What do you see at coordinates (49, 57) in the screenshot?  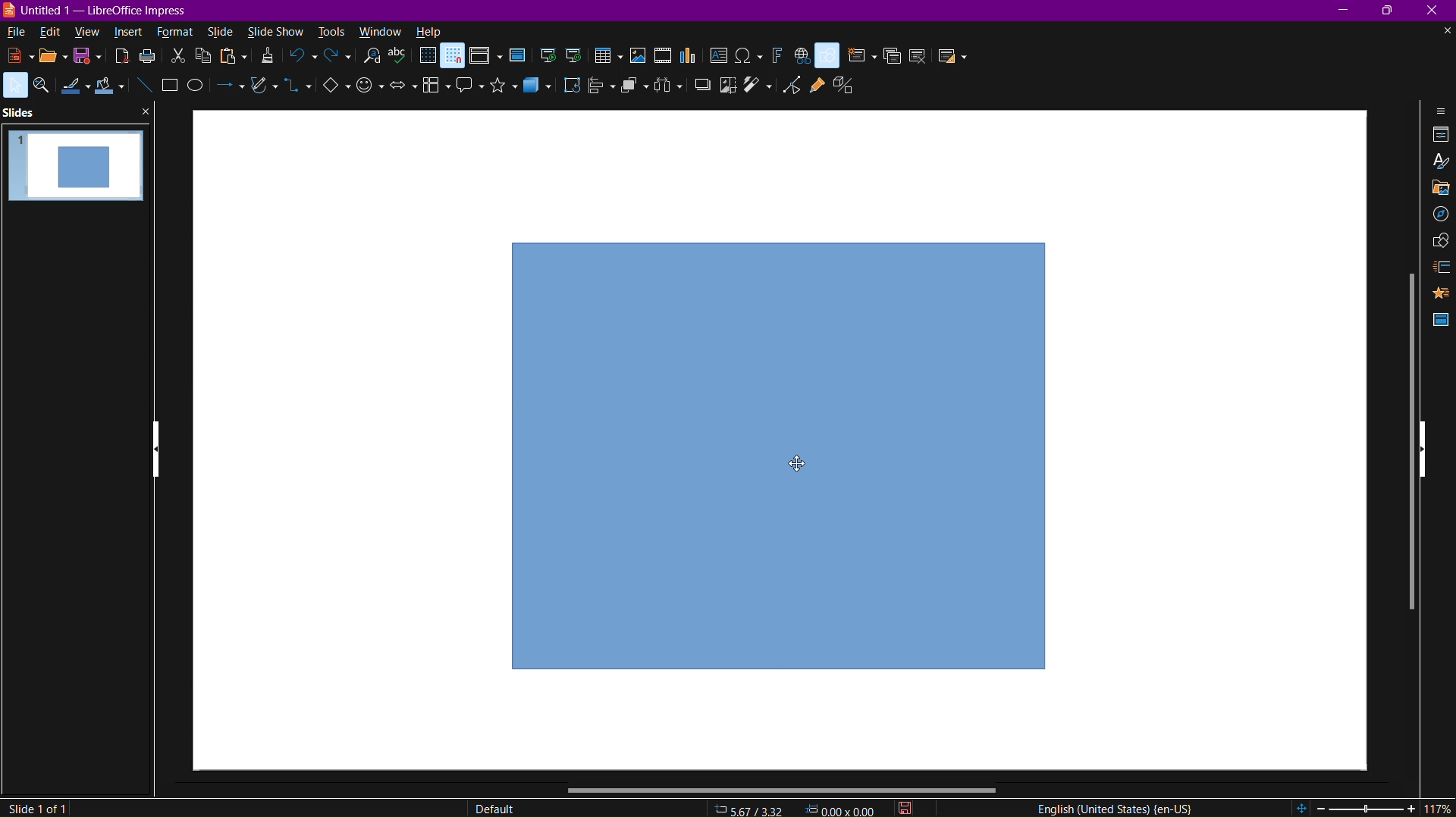 I see `Open` at bounding box center [49, 57].